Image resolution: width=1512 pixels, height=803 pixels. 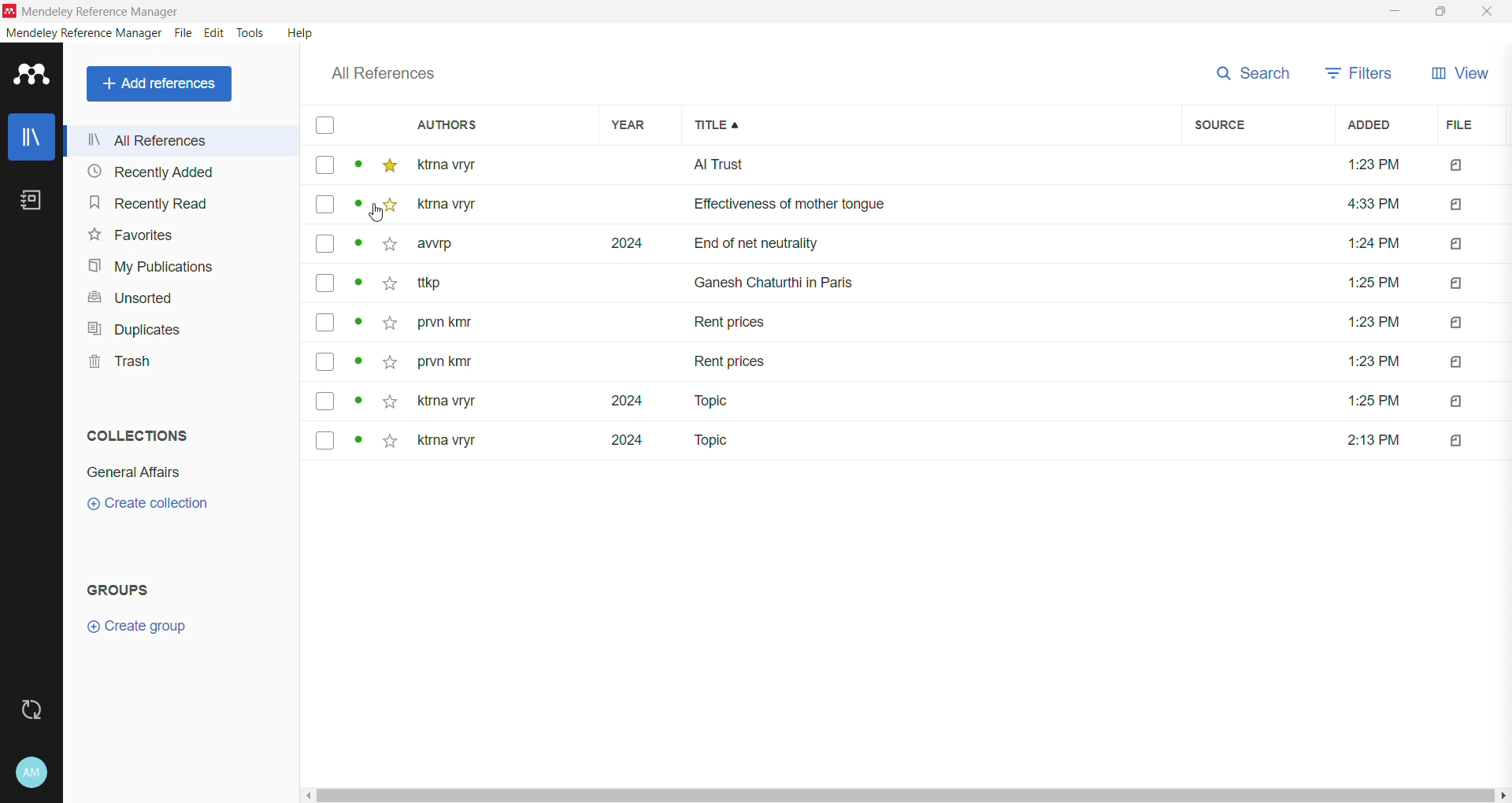 What do you see at coordinates (325, 322) in the screenshot?
I see `box` at bounding box center [325, 322].